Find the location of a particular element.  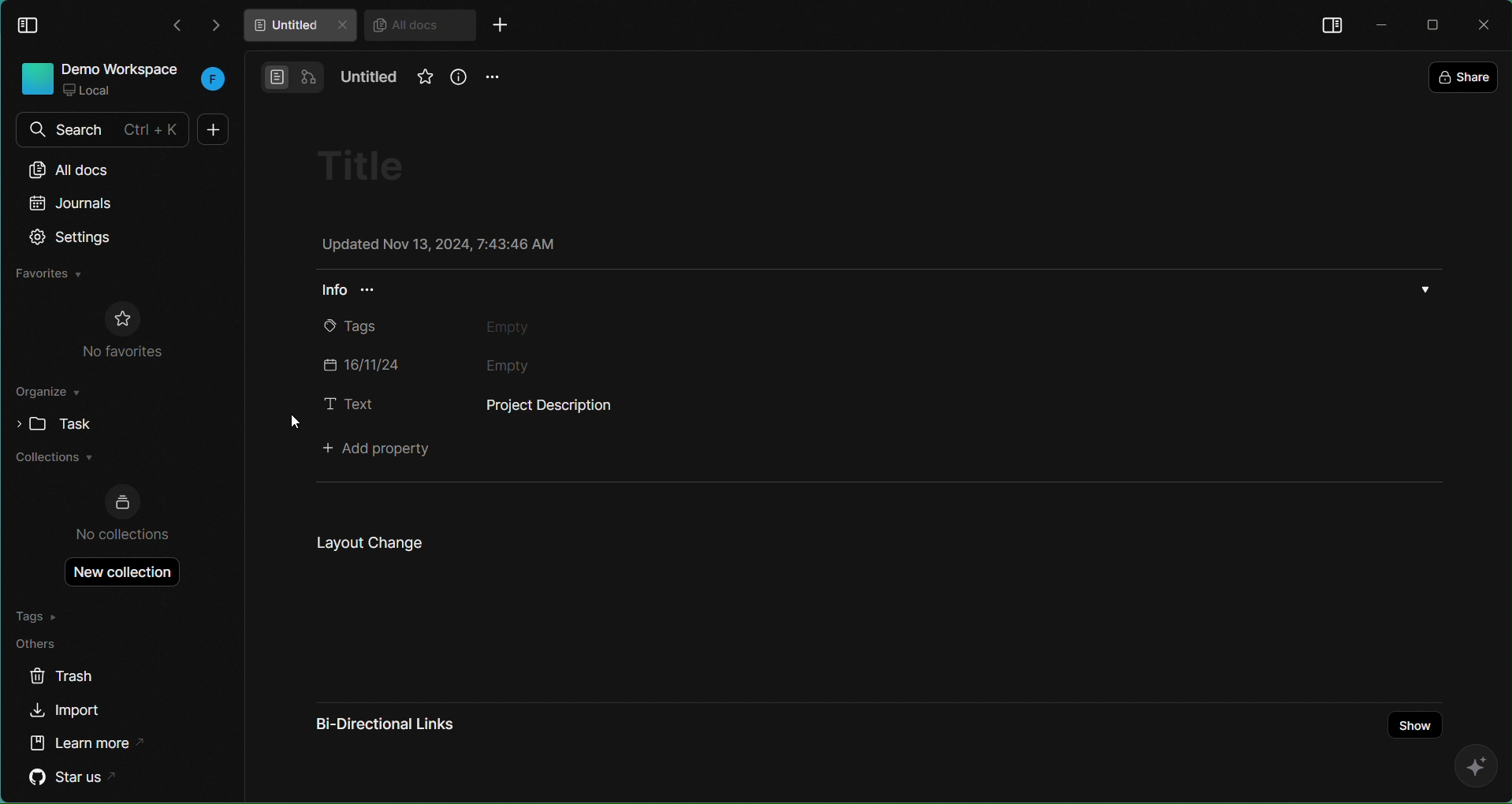

1 Trash is located at coordinates (76, 677).